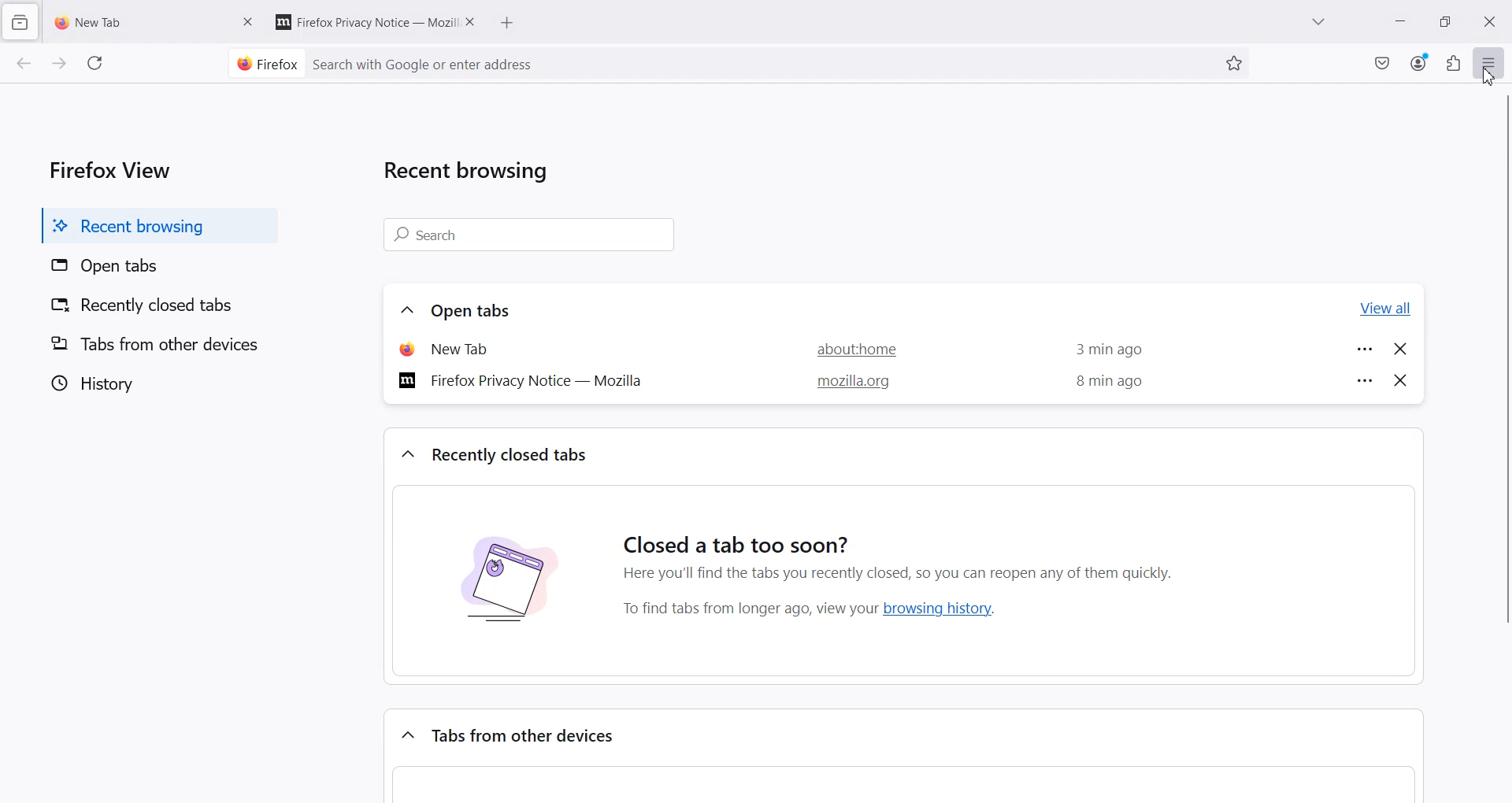 This screenshot has width=1512, height=803. Describe the element at coordinates (474, 174) in the screenshot. I see `Recent browsing` at that location.